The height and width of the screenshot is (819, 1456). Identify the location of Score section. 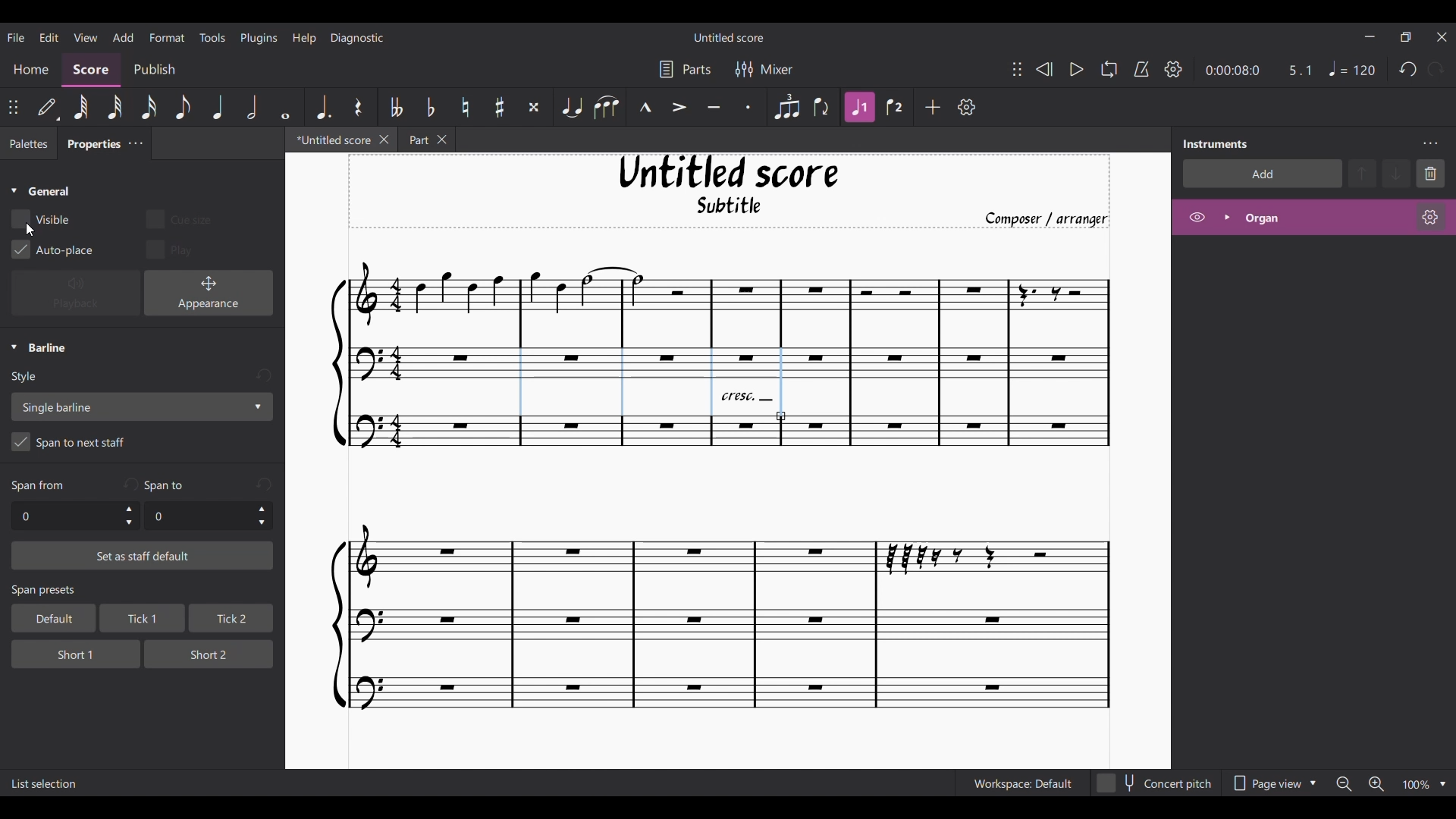
(91, 68).